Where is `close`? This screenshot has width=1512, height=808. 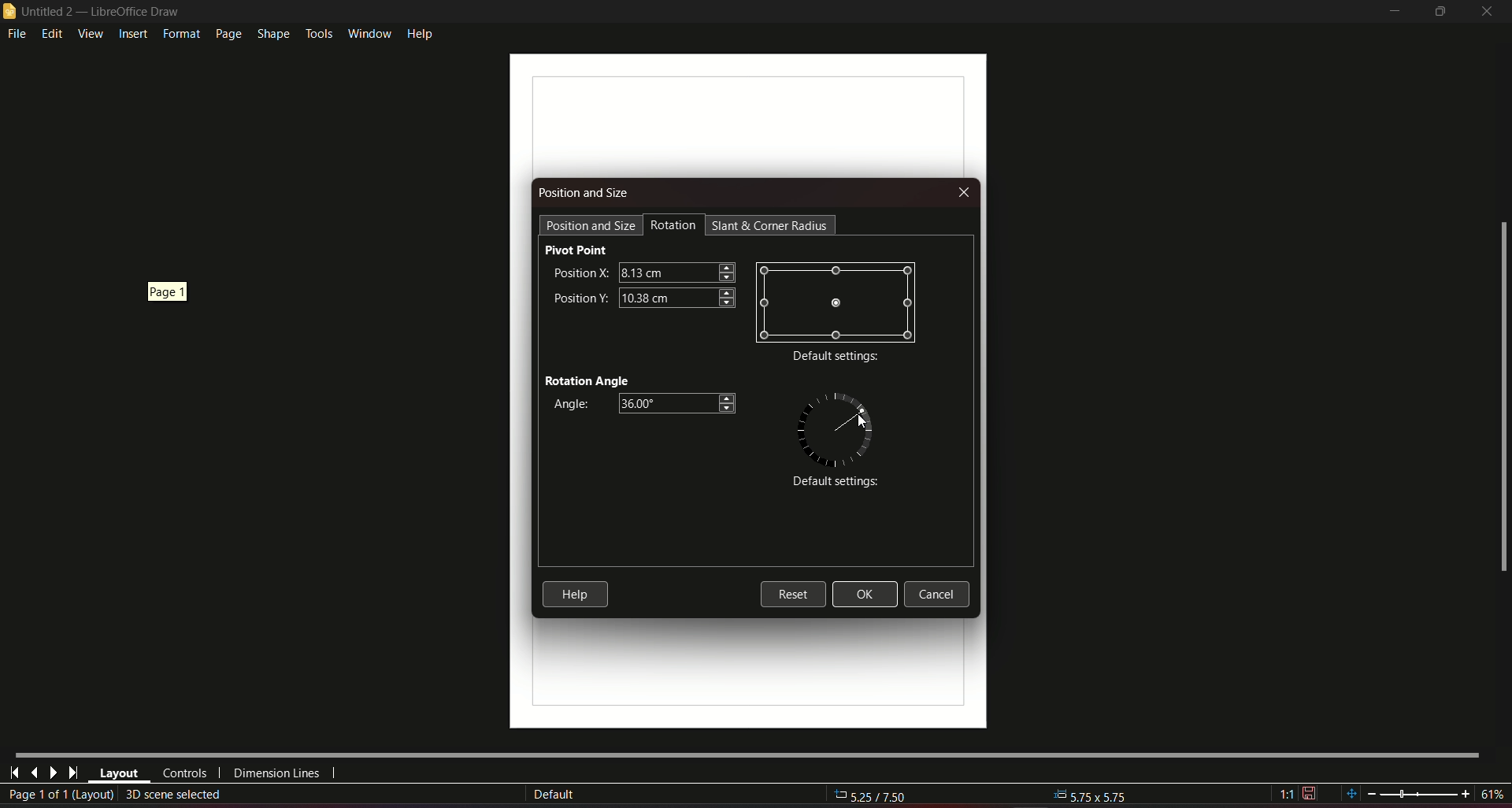
close is located at coordinates (1488, 11).